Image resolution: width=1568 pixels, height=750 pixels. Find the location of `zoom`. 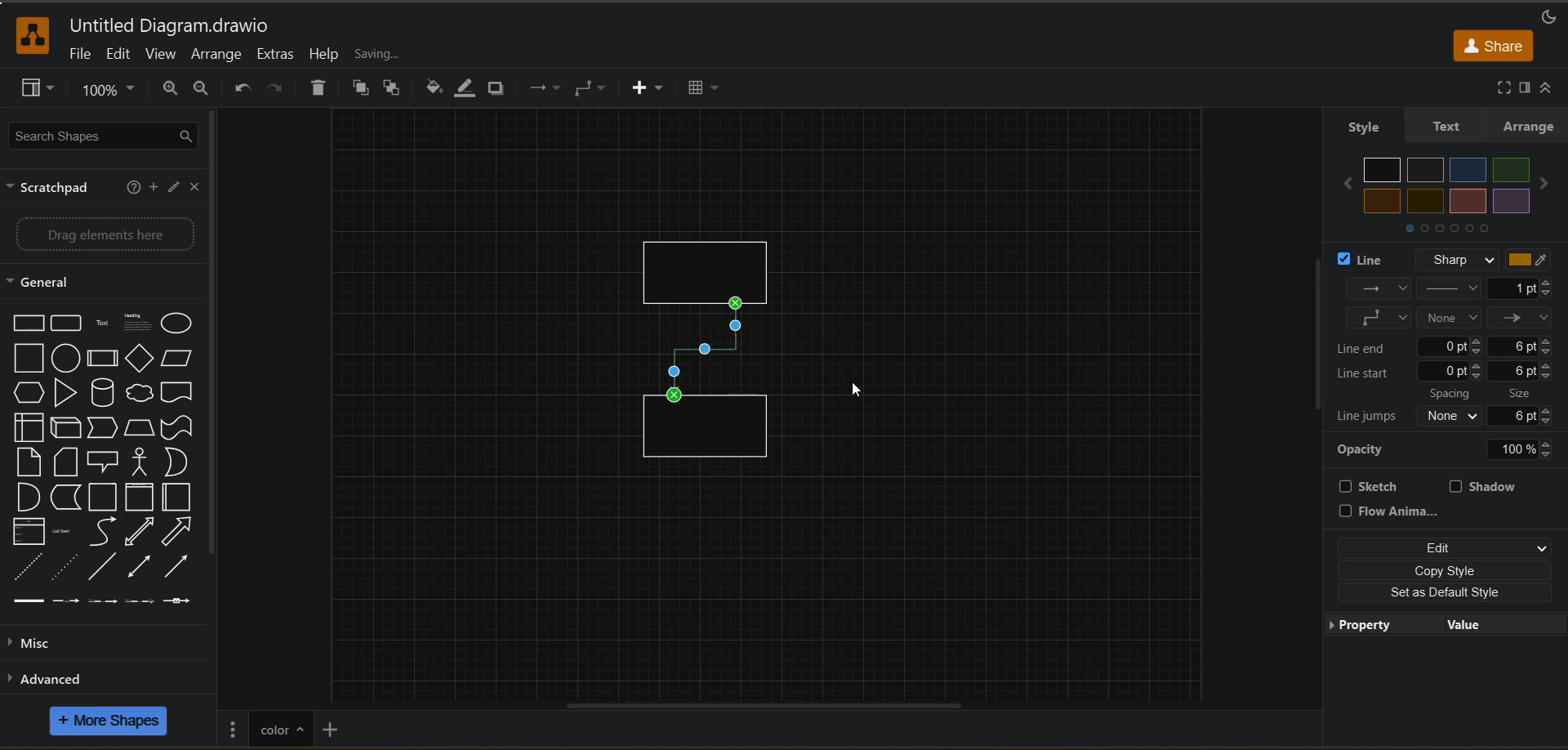

zoom is located at coordinates (112, 93).